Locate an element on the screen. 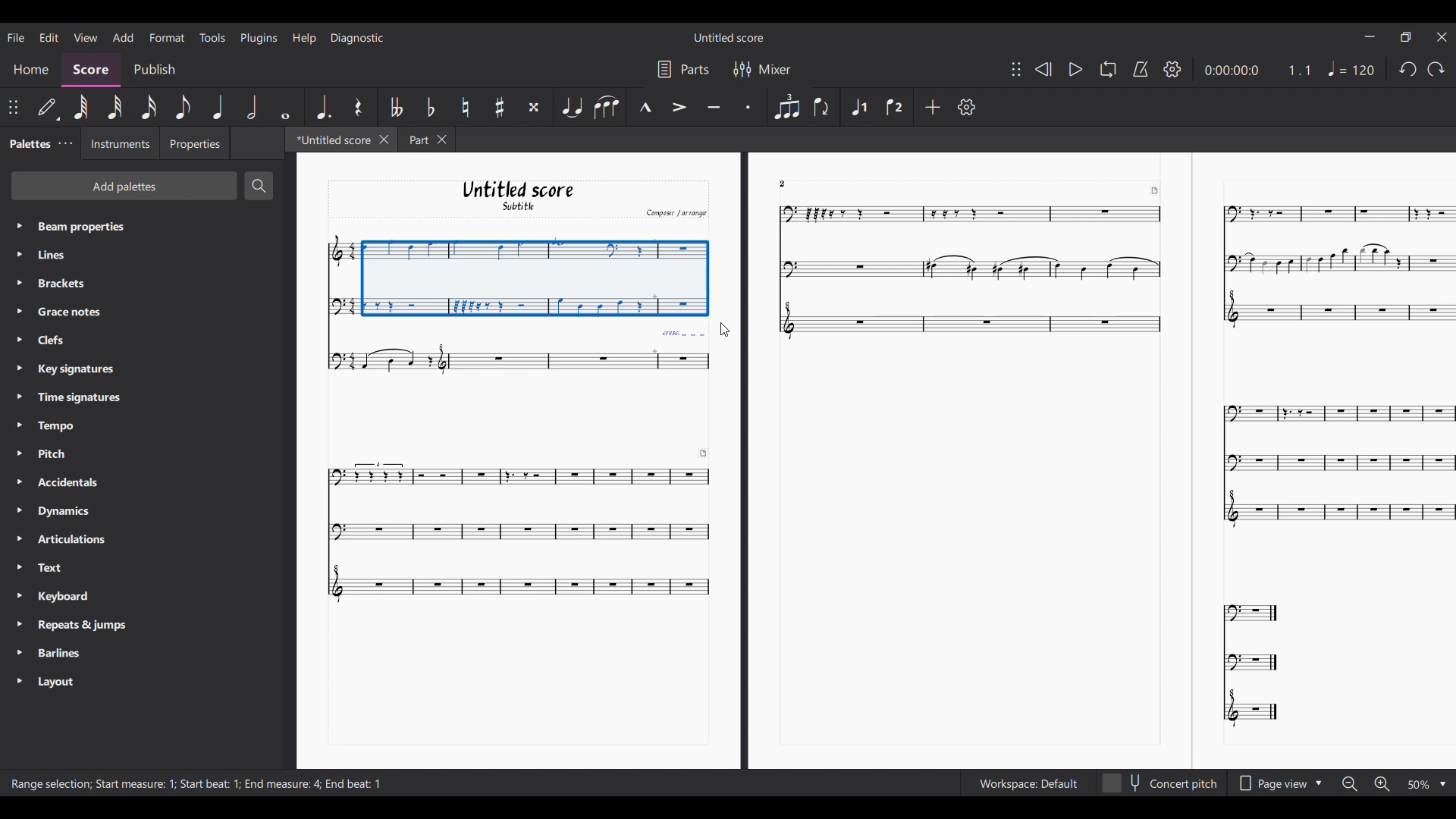 Image resolution: width=1456 pixels, height=819 pixels.  is located at coordinates (16, 485).